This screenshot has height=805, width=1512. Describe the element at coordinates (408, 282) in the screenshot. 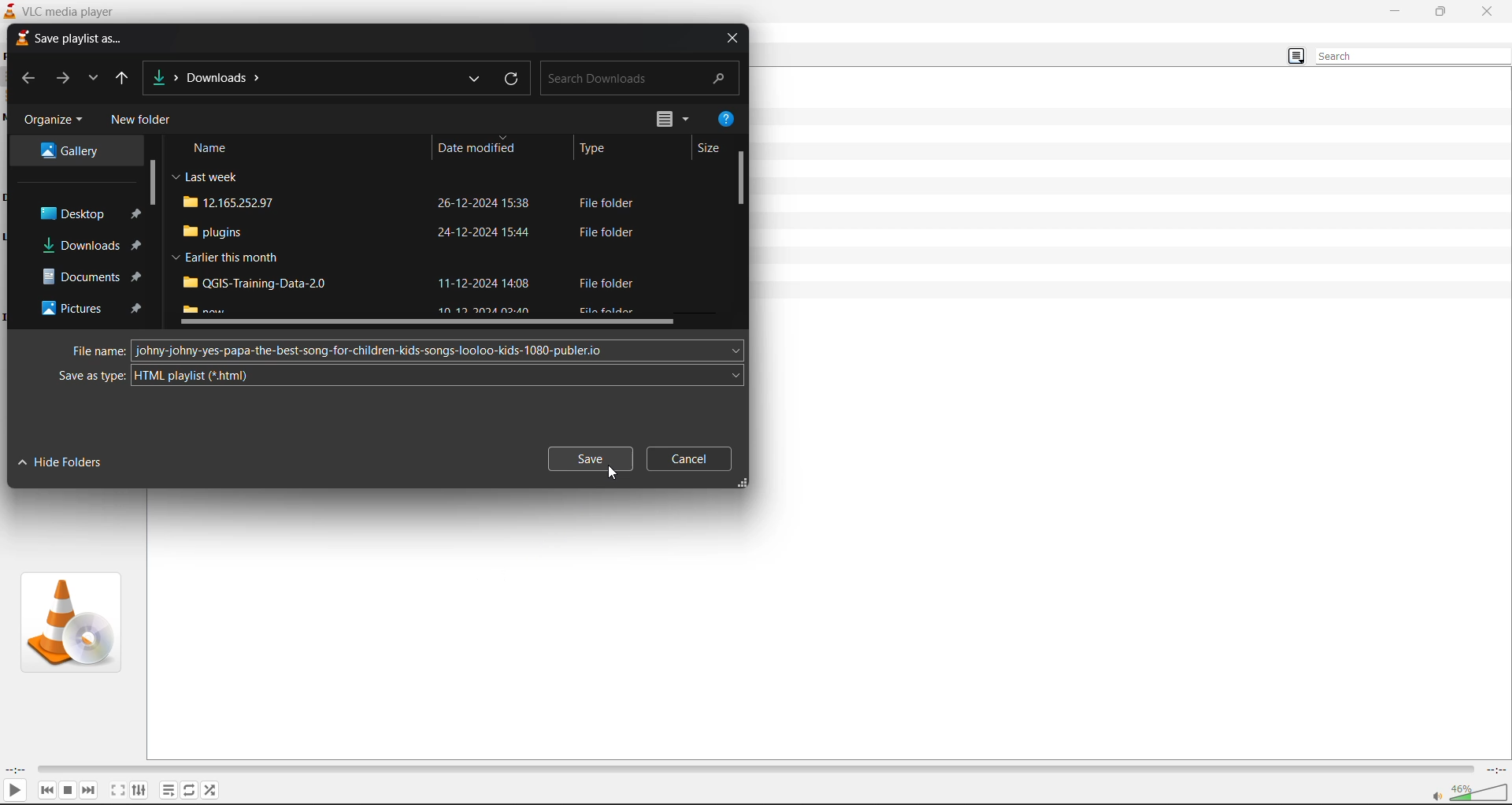

I see `Earlier this month` at that location.